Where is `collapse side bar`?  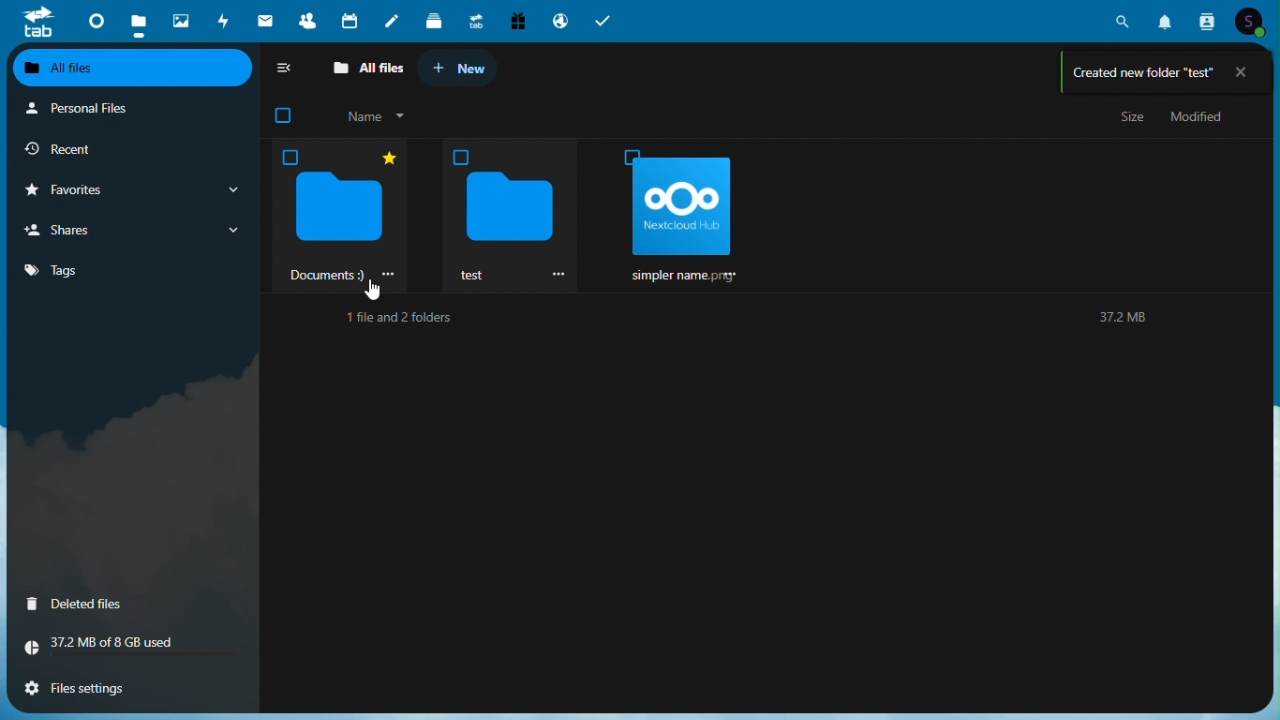
collapse side bar is located at coordinates (287, 65).